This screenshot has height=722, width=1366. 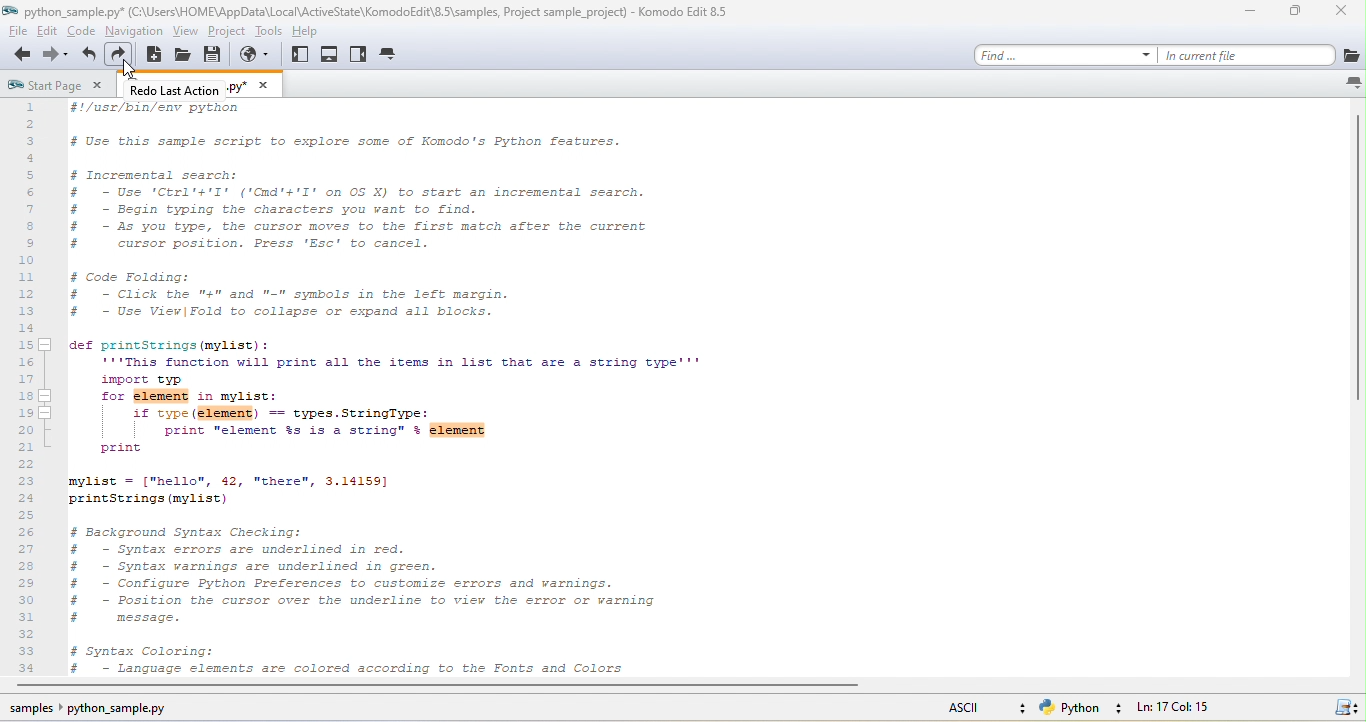 I want to click on back, so click(x=23, y=55).